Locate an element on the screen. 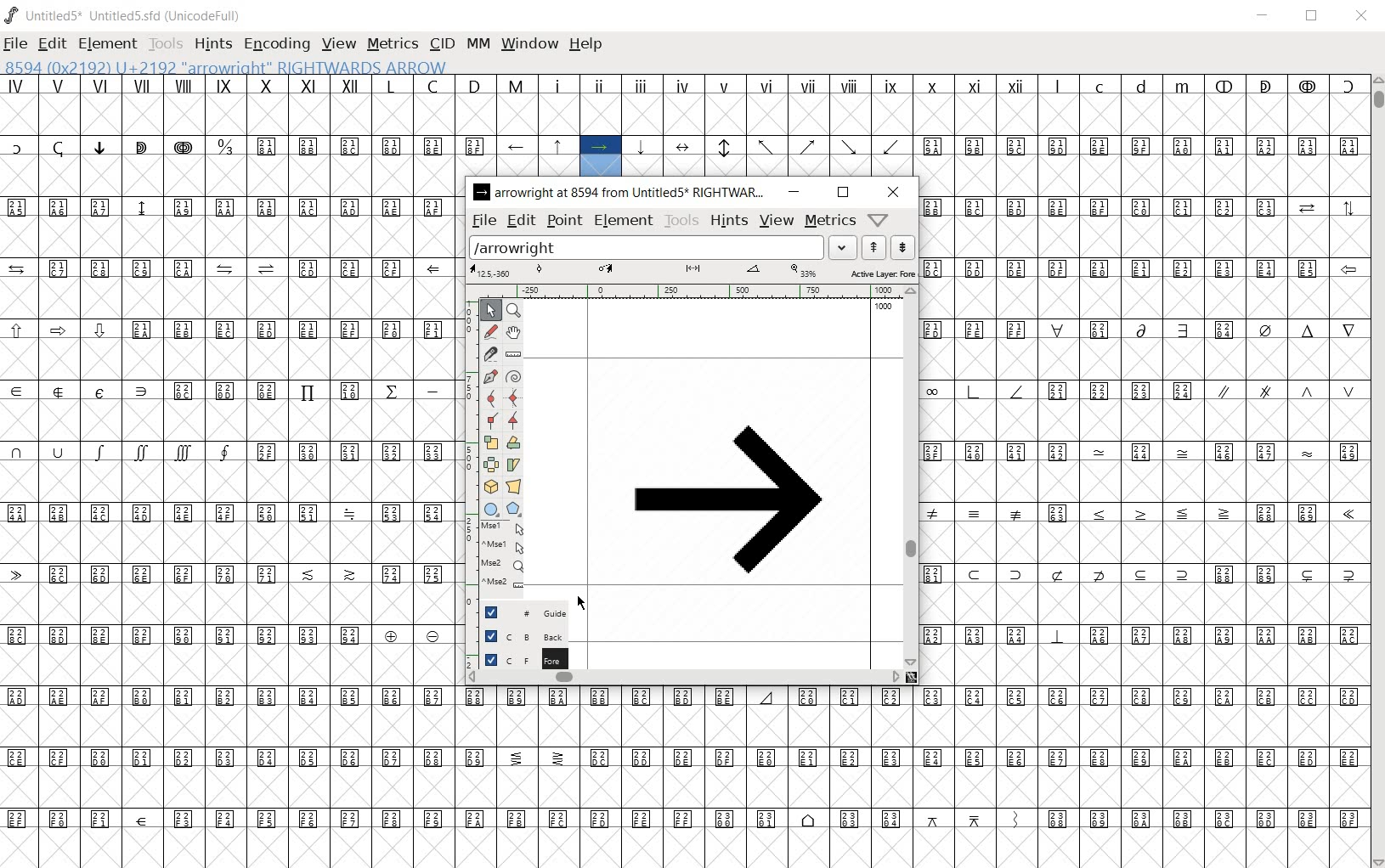 This screenshot has height=868, width=1385. Add a corner point is located at coordinates (491, 420).